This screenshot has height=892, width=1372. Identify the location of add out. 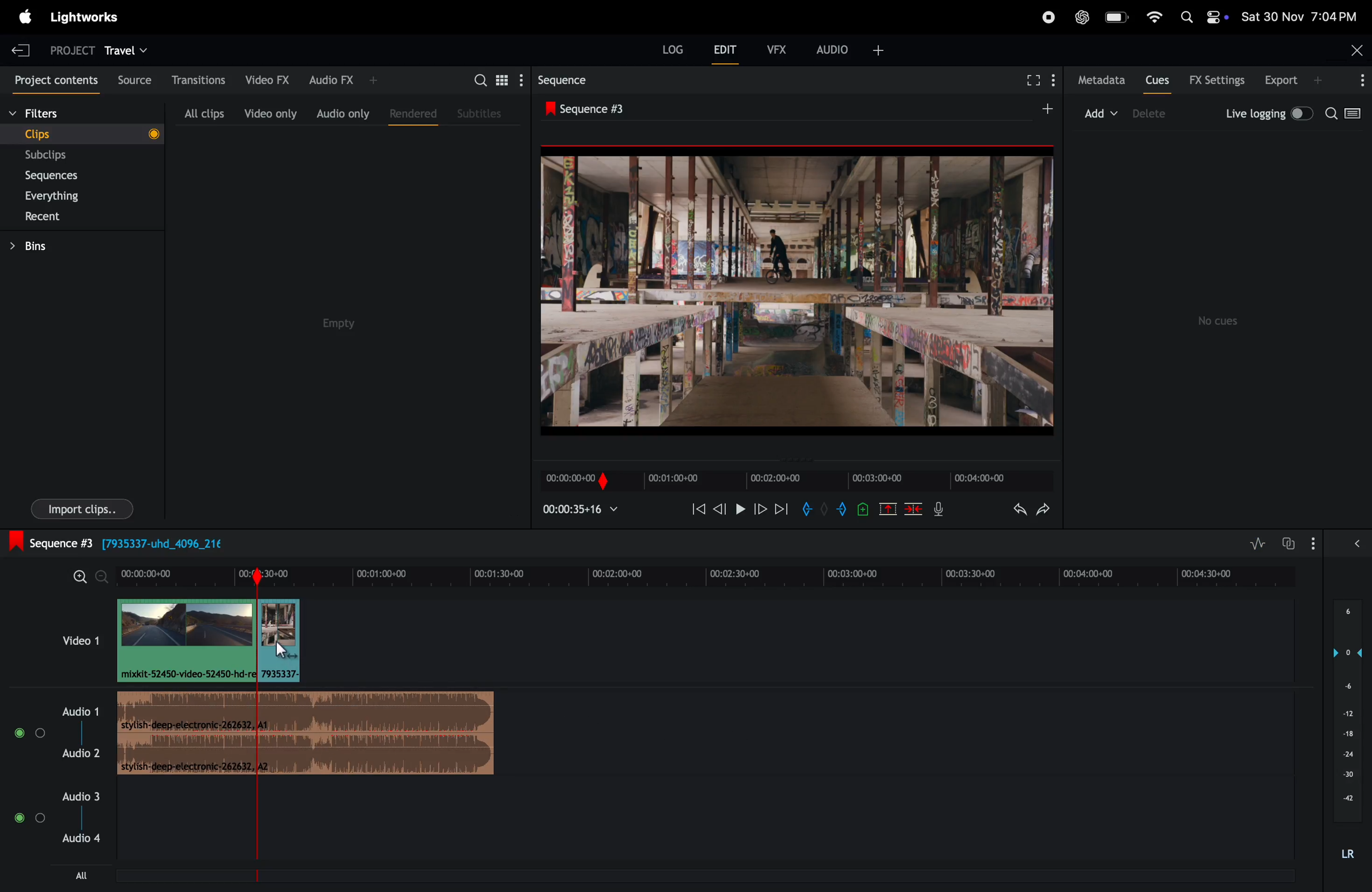
(843, 511).